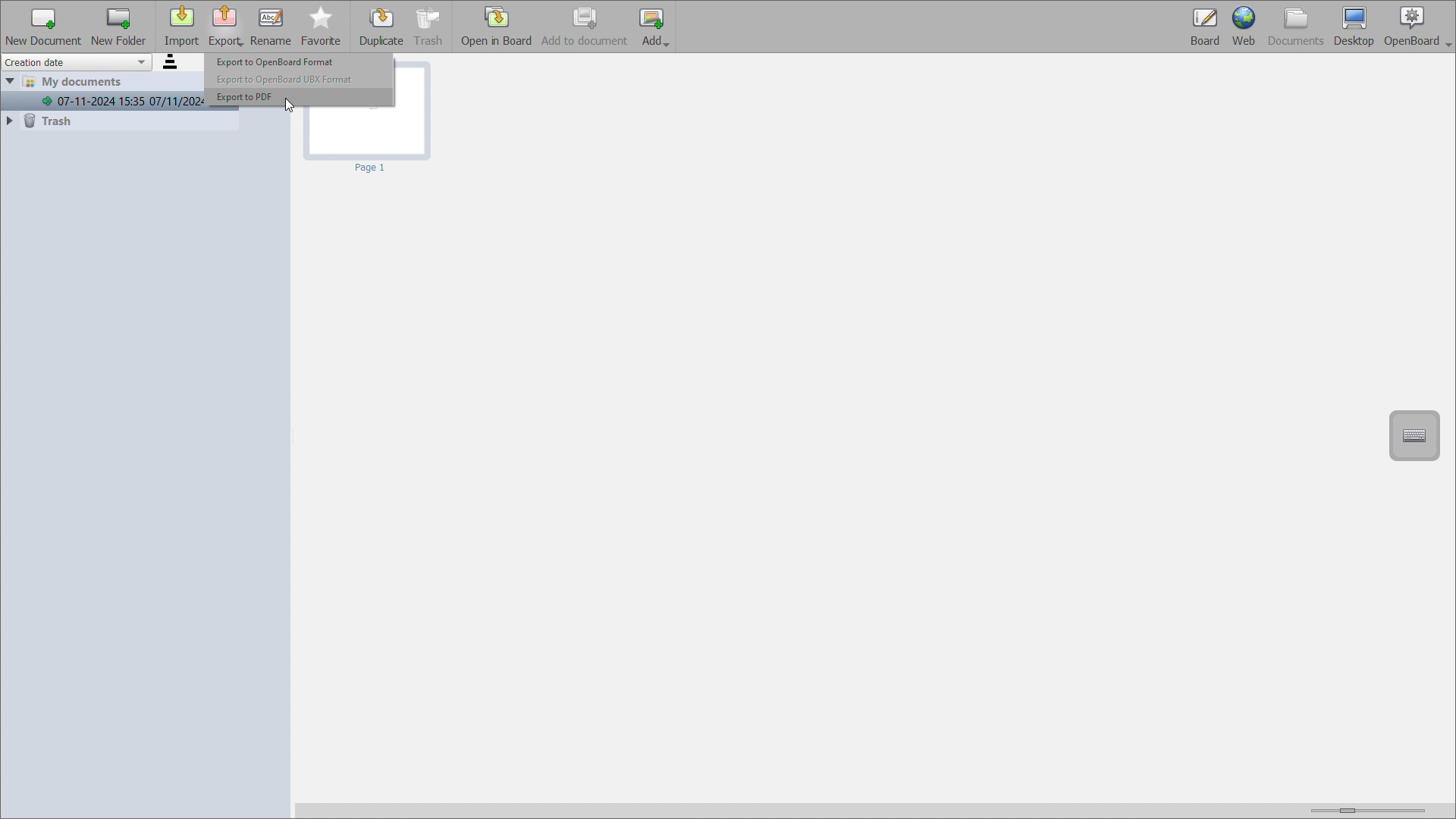  What do you see at coordinates (119, 27) in the screenshot?
I see `add new folder` at bounding box center [119, 27].